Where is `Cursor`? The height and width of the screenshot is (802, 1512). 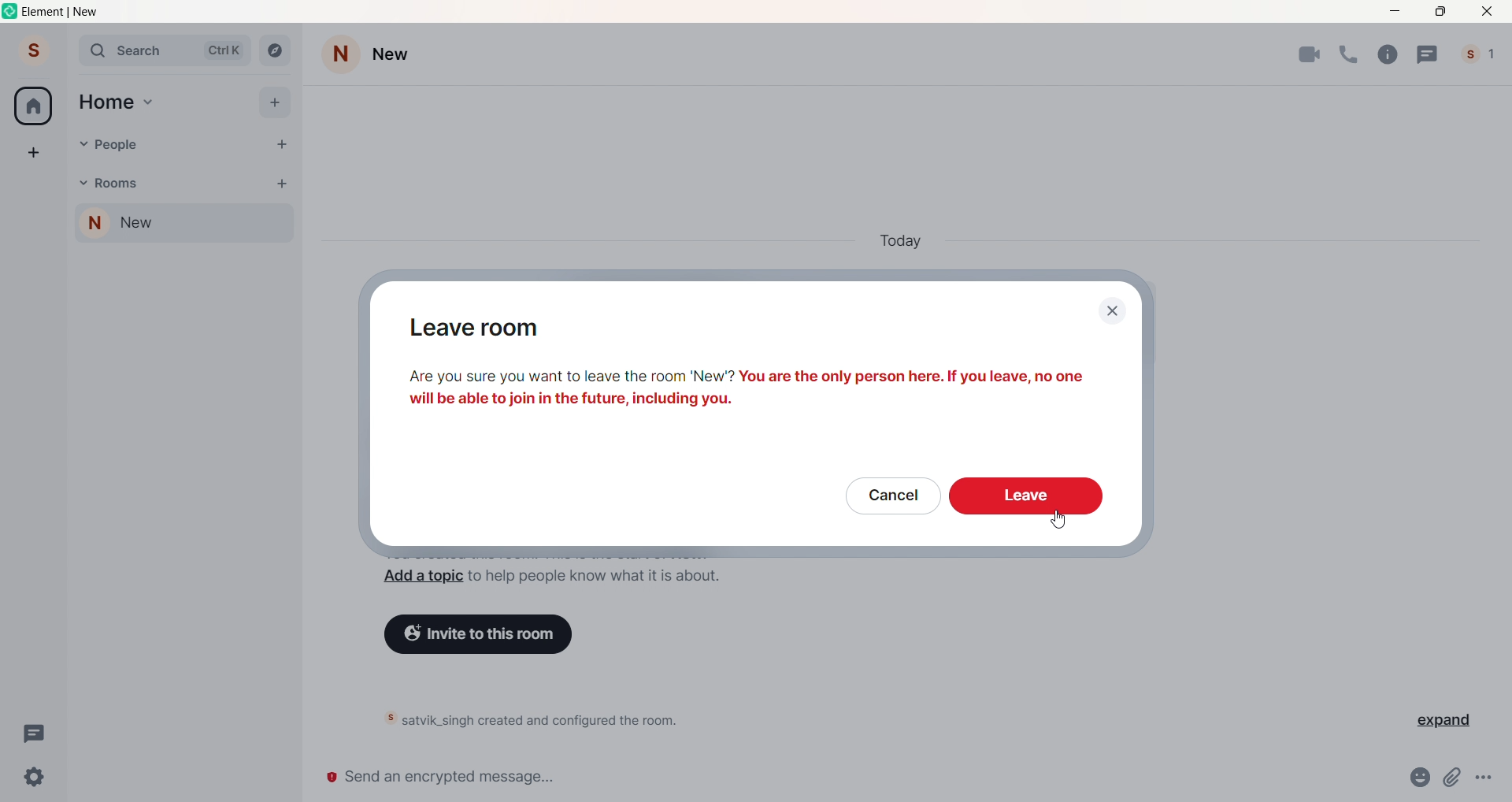 Cursor is located at coordinates (1058, 522).